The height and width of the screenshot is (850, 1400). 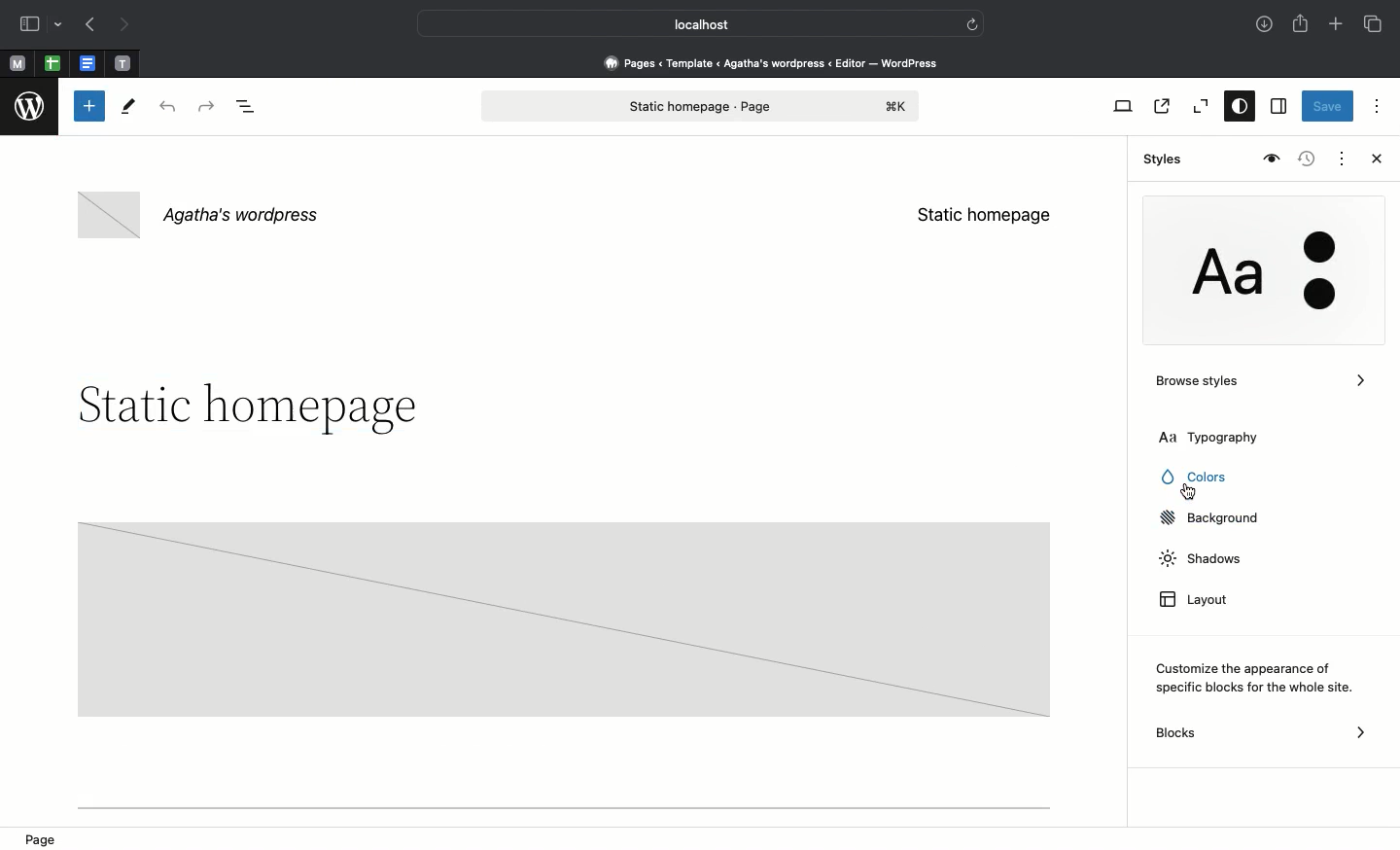 I want to click on View, so click(x=1119, y=106).